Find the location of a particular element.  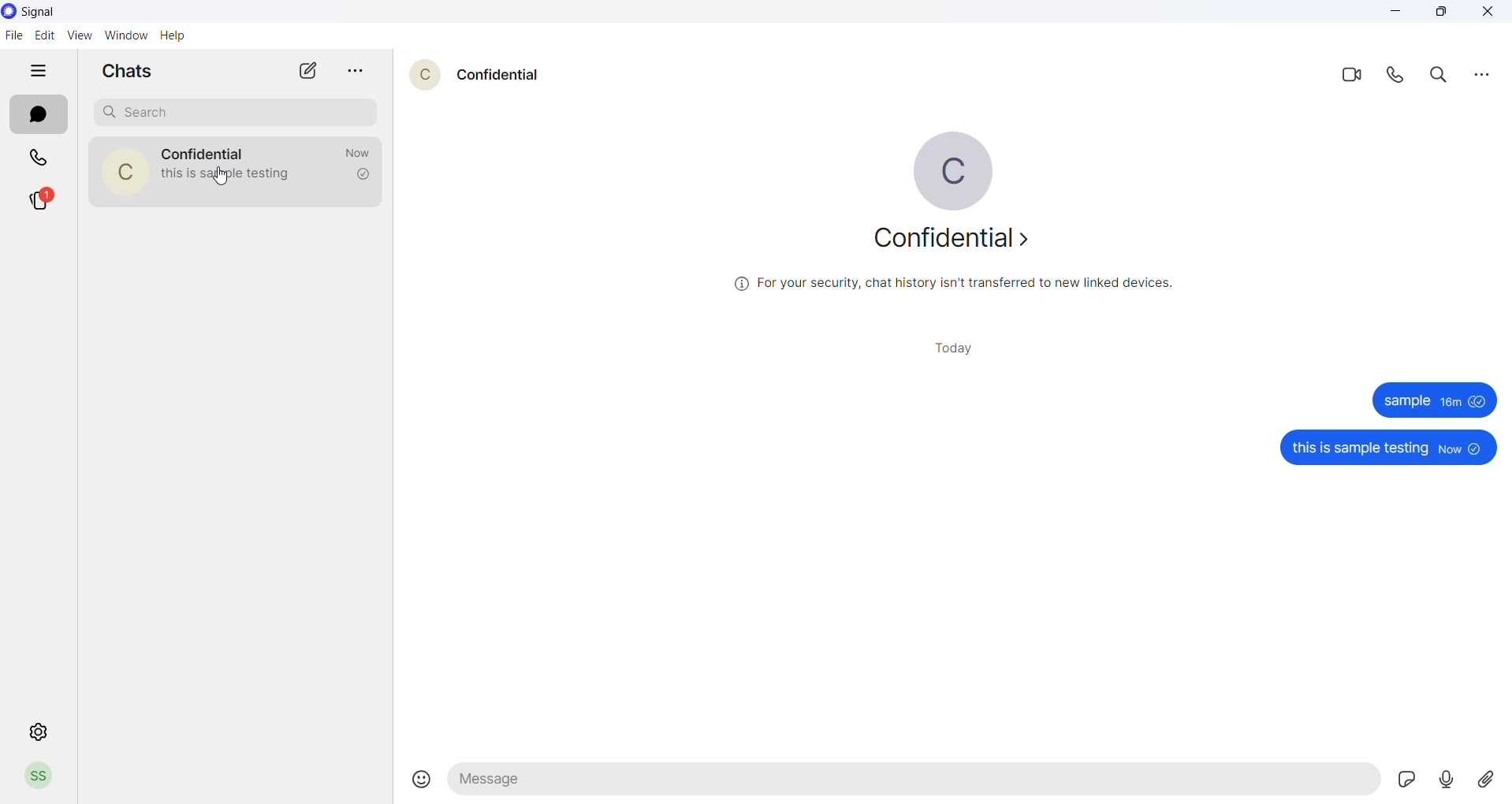

chats heading is located at coordinates (127, 72).